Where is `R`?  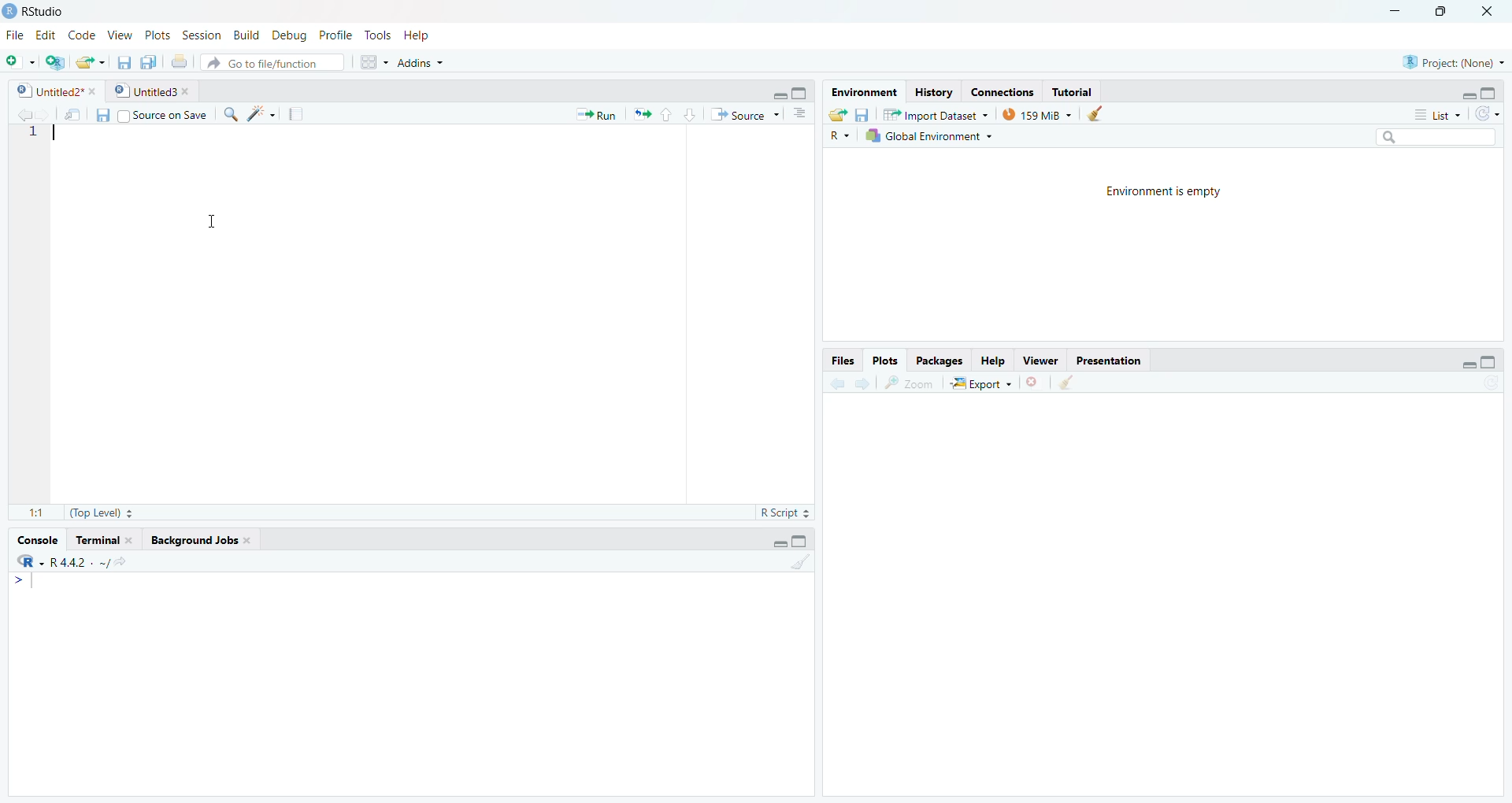
R is located at coordinates (31, 562).